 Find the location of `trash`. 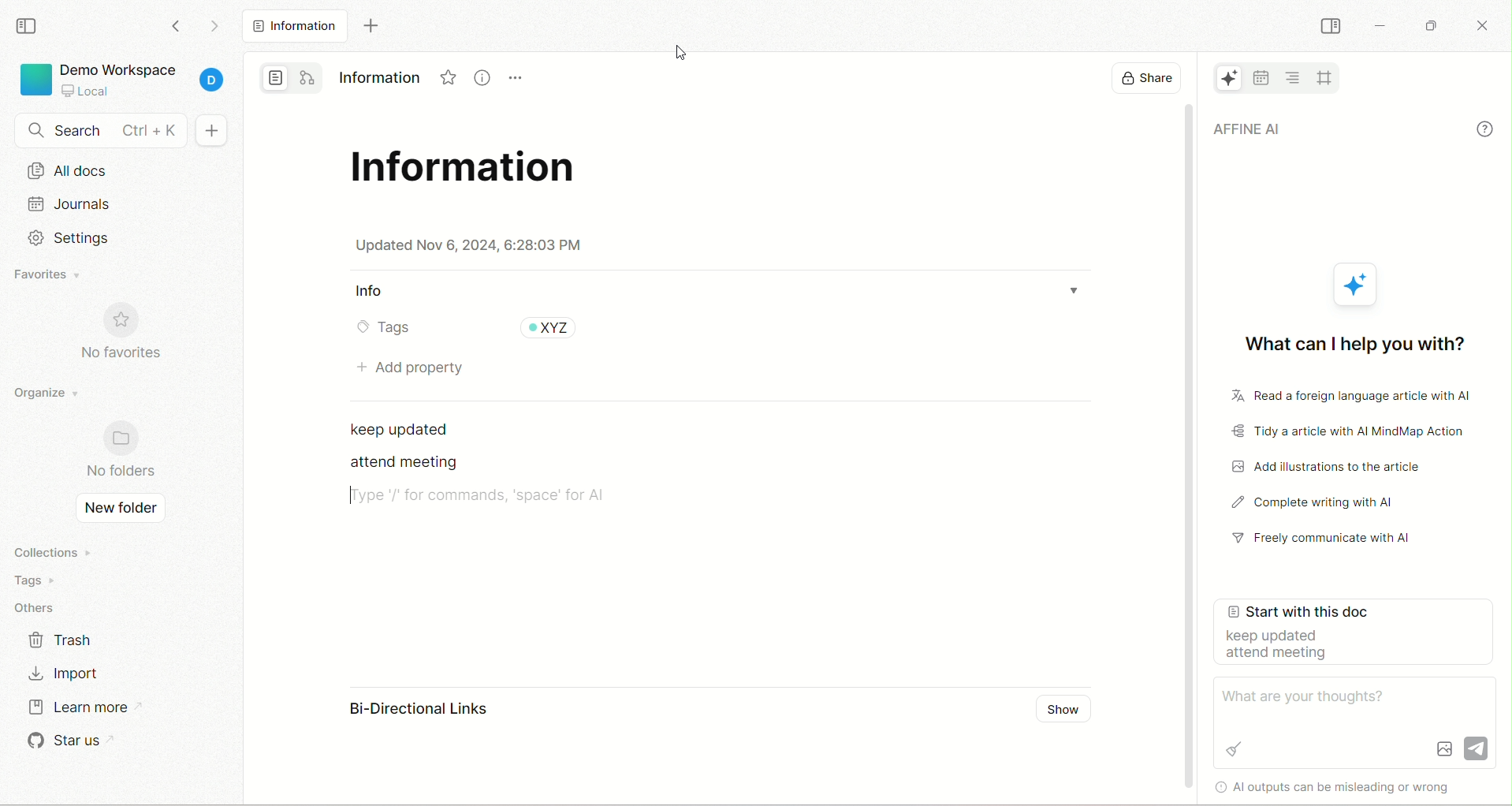

trash is located at coordinates (67, 640).